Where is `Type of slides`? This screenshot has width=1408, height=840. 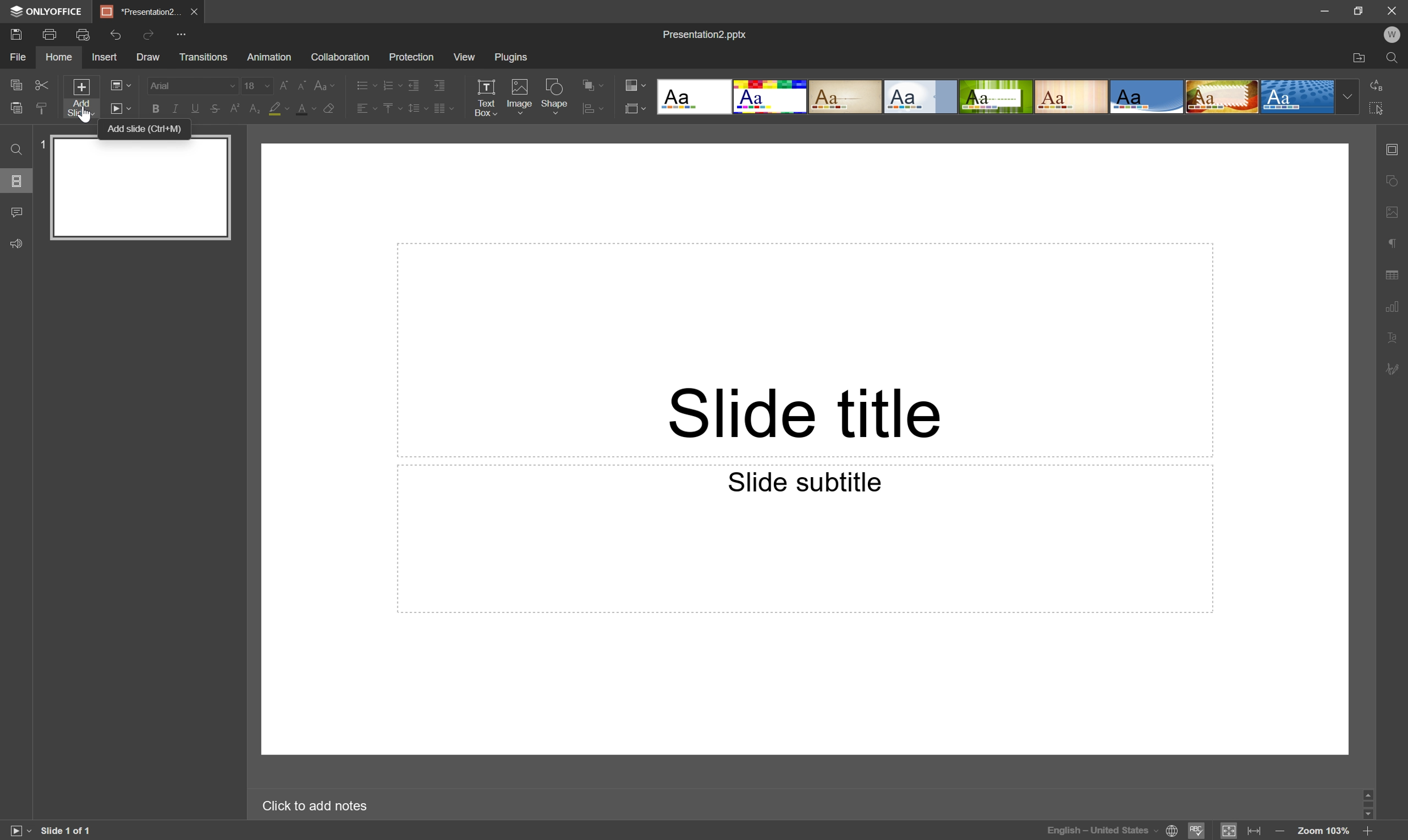 Type of slides is located at coordinates (996, 96).